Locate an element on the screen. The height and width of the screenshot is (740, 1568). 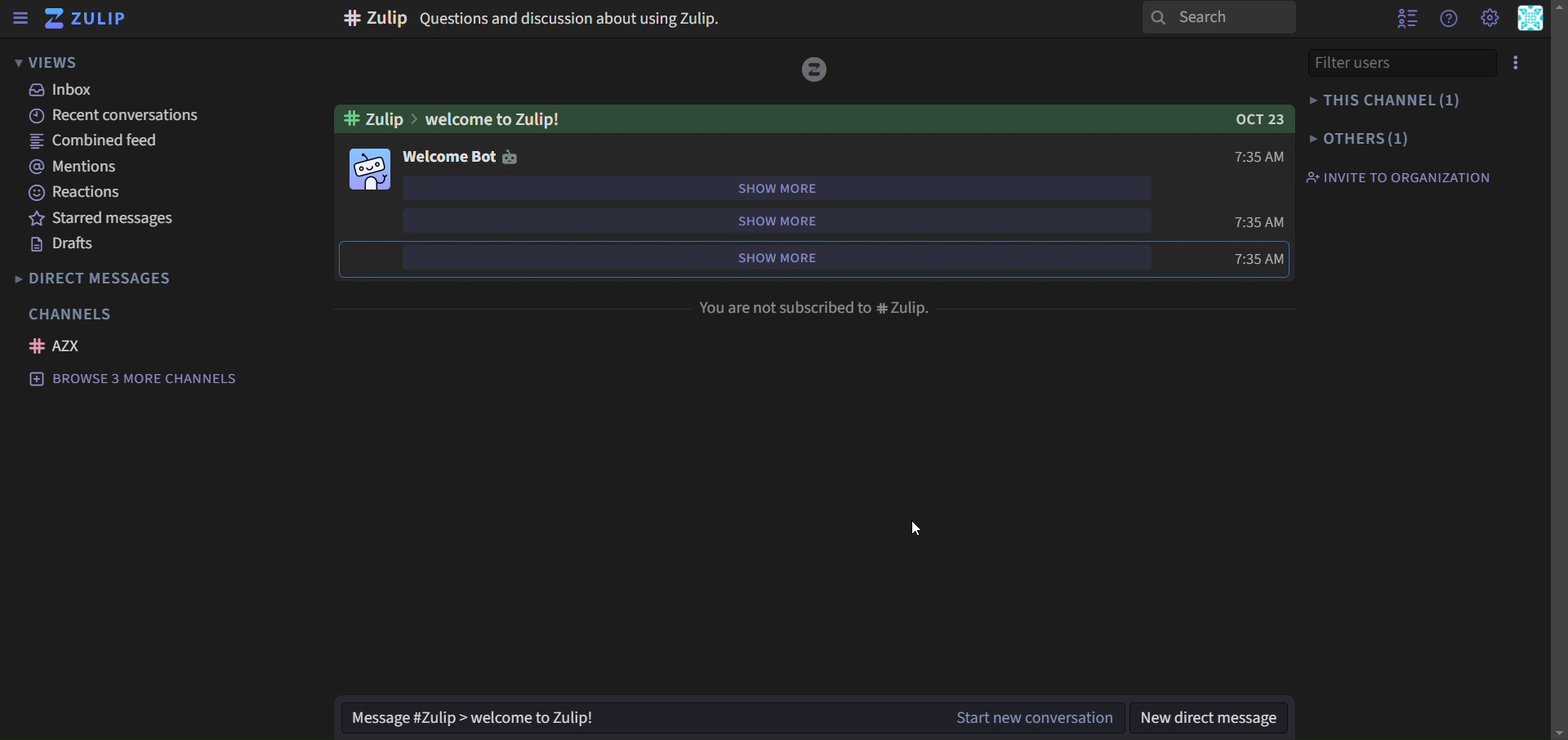
get help is located at coordinates (1450, 19).